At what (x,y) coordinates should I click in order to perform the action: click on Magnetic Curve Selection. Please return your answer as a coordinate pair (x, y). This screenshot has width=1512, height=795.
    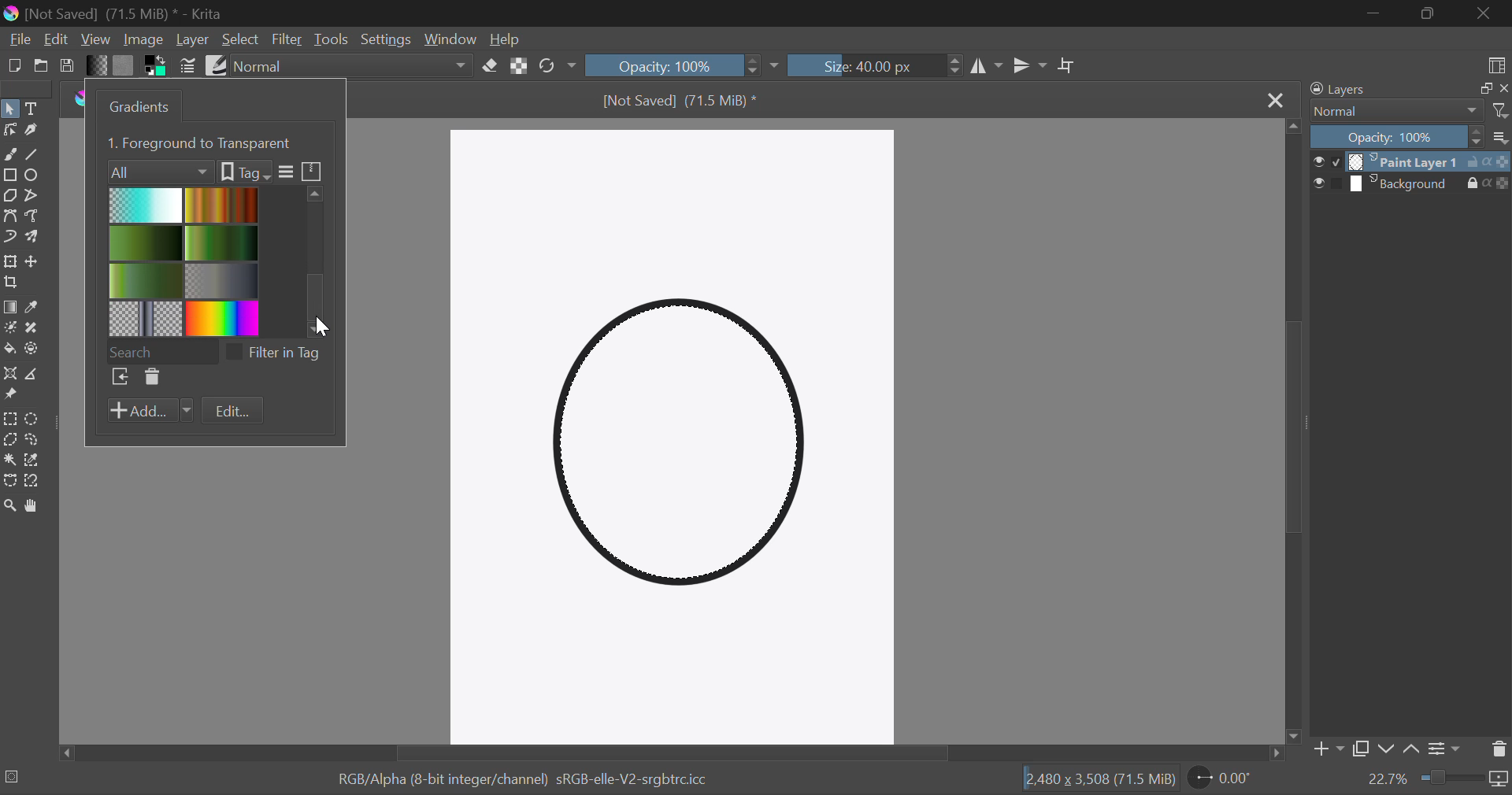
    Looking at the image, I should click on (37, 483).